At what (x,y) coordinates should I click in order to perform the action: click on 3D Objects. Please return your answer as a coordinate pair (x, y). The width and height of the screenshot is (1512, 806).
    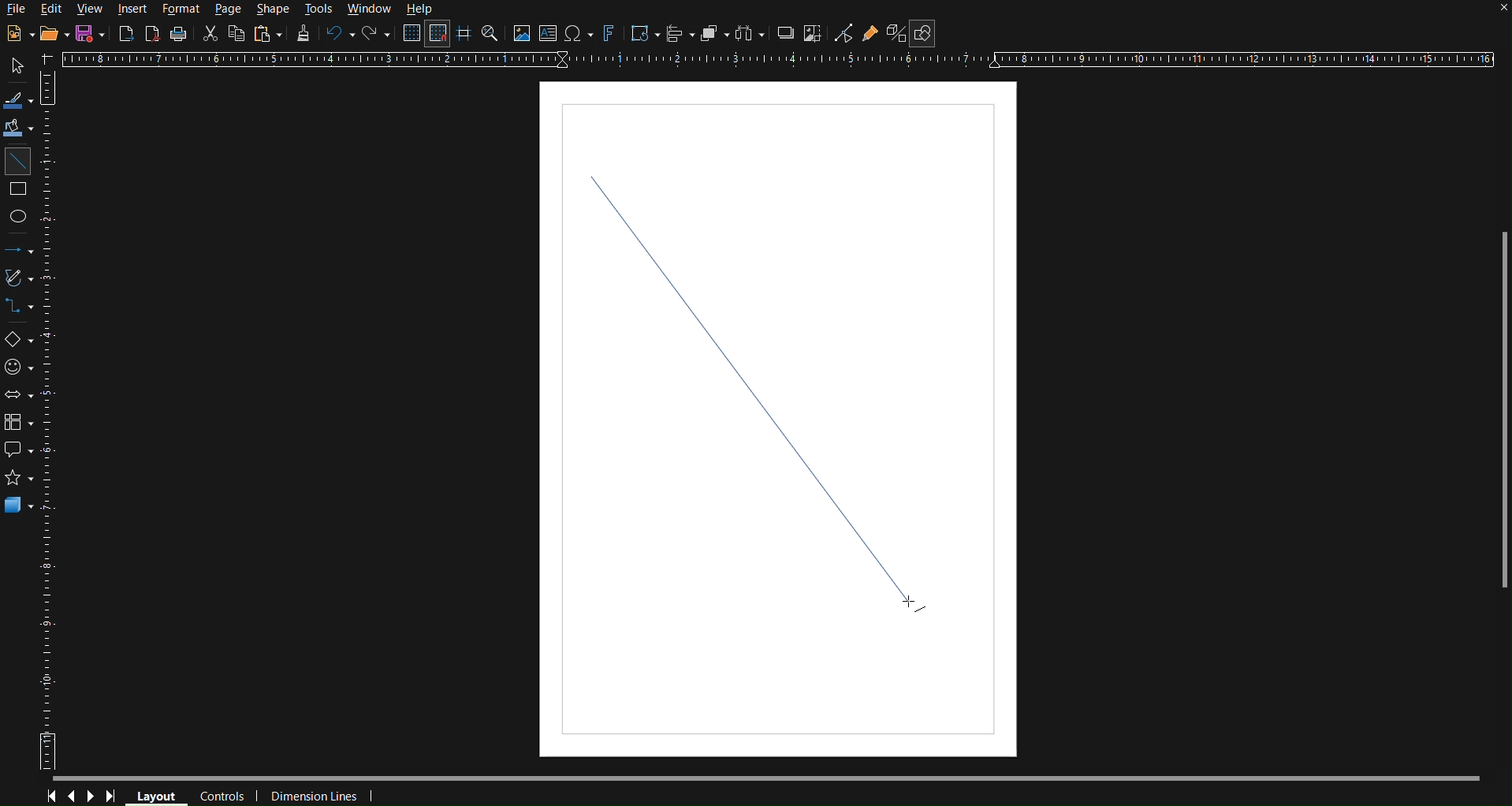
    Looking at the image, I should click on (19, 504).